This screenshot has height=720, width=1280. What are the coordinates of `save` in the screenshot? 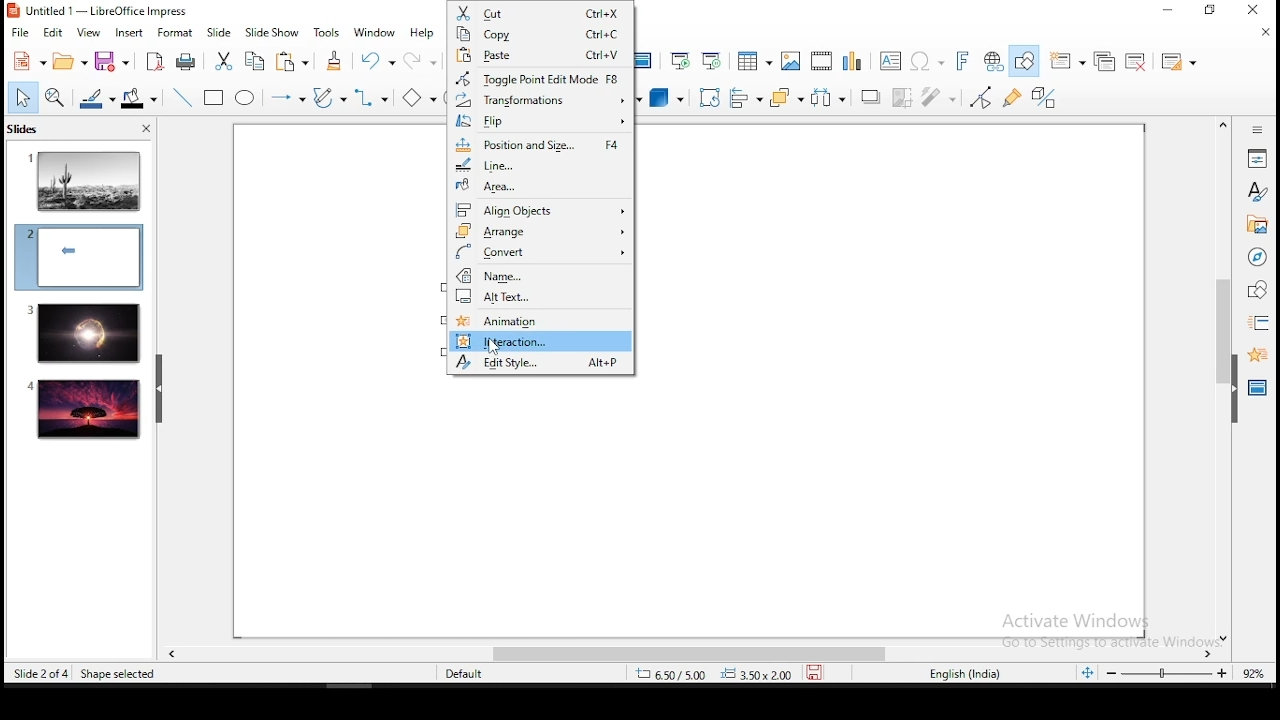 It's located at (112, 61).